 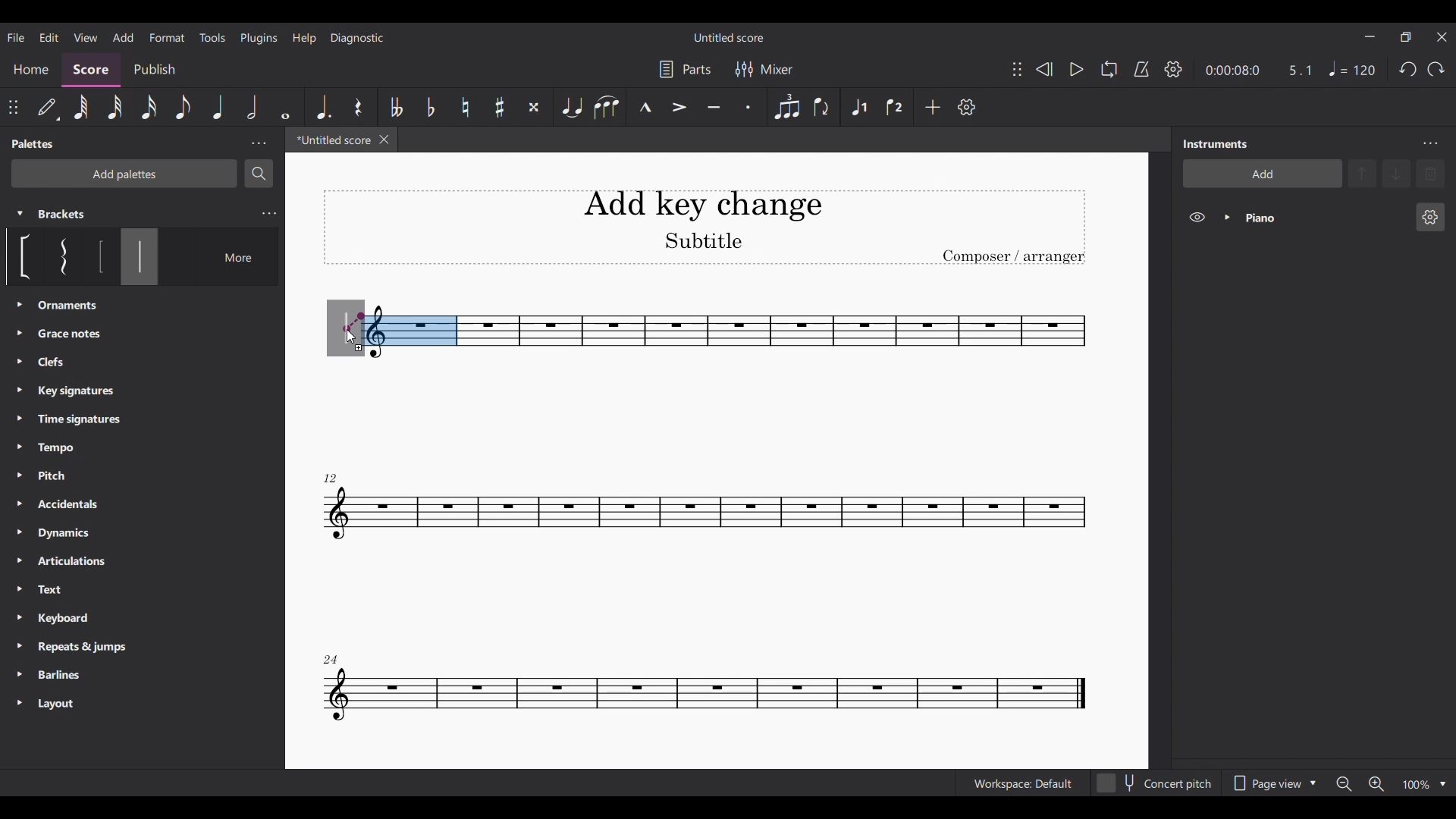 What do you see at coordinates (1109, 68) in the screenshot?
I see `Loop playback` at bounding box center [1109, 68].